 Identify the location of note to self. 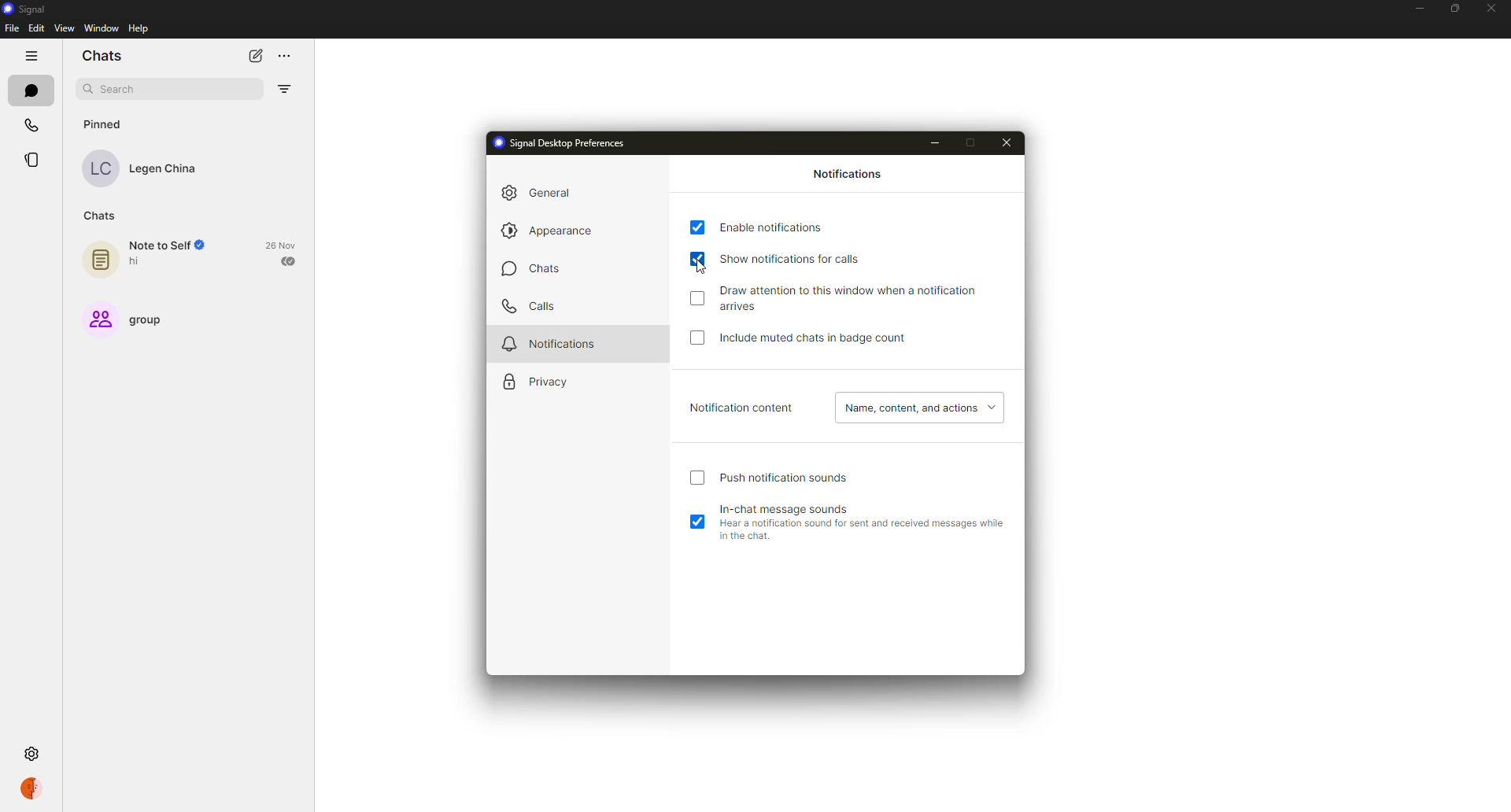
(152, 256).